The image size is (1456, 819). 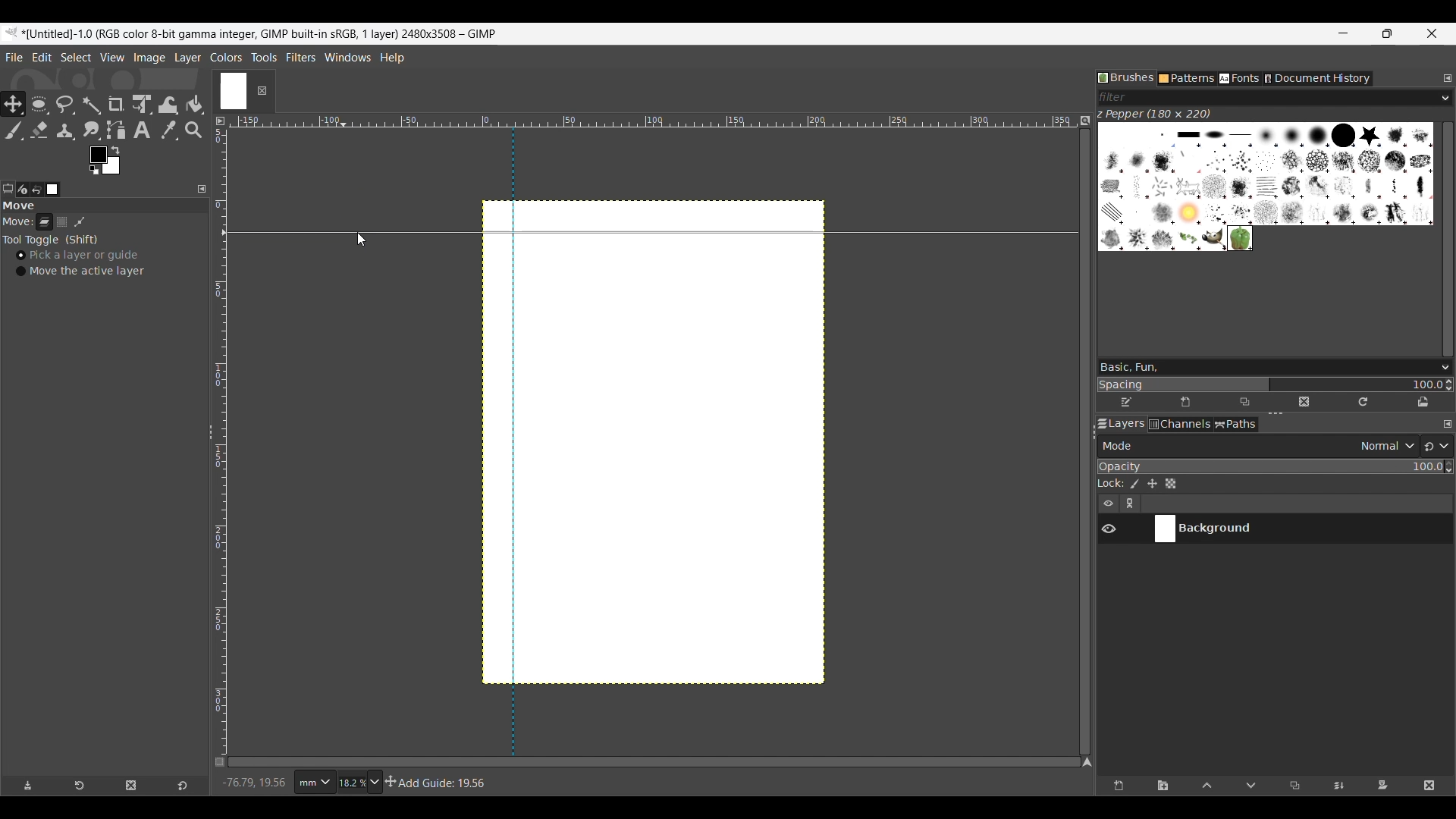 What do you see at coordinates (169, 130) in the screenshot?
I see `Color picker tool` at bounding box center [169, 130].